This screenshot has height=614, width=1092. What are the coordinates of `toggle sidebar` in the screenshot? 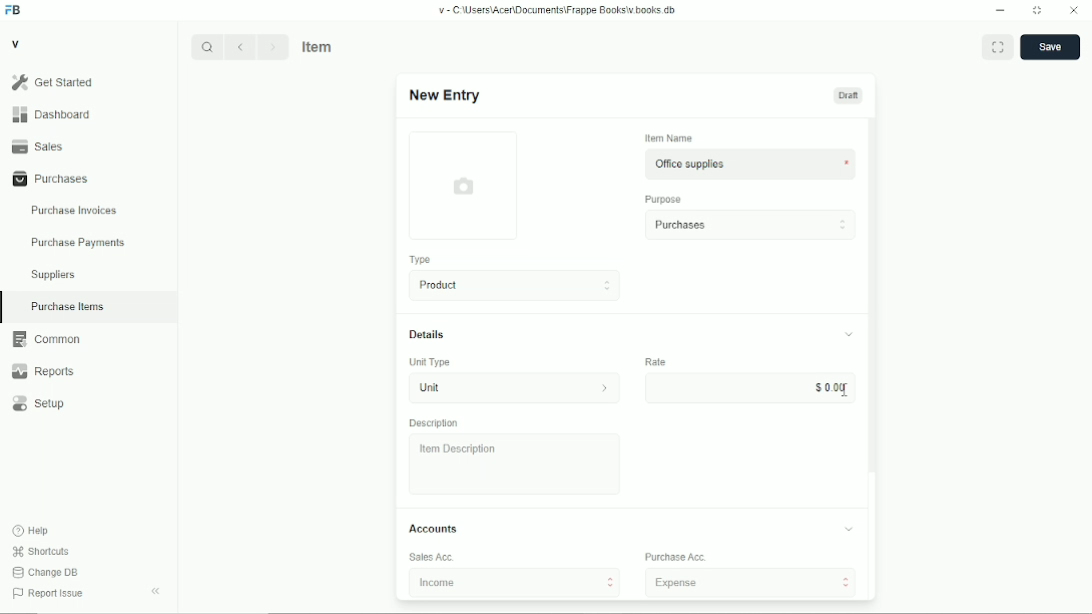 It's located at (157, 591).